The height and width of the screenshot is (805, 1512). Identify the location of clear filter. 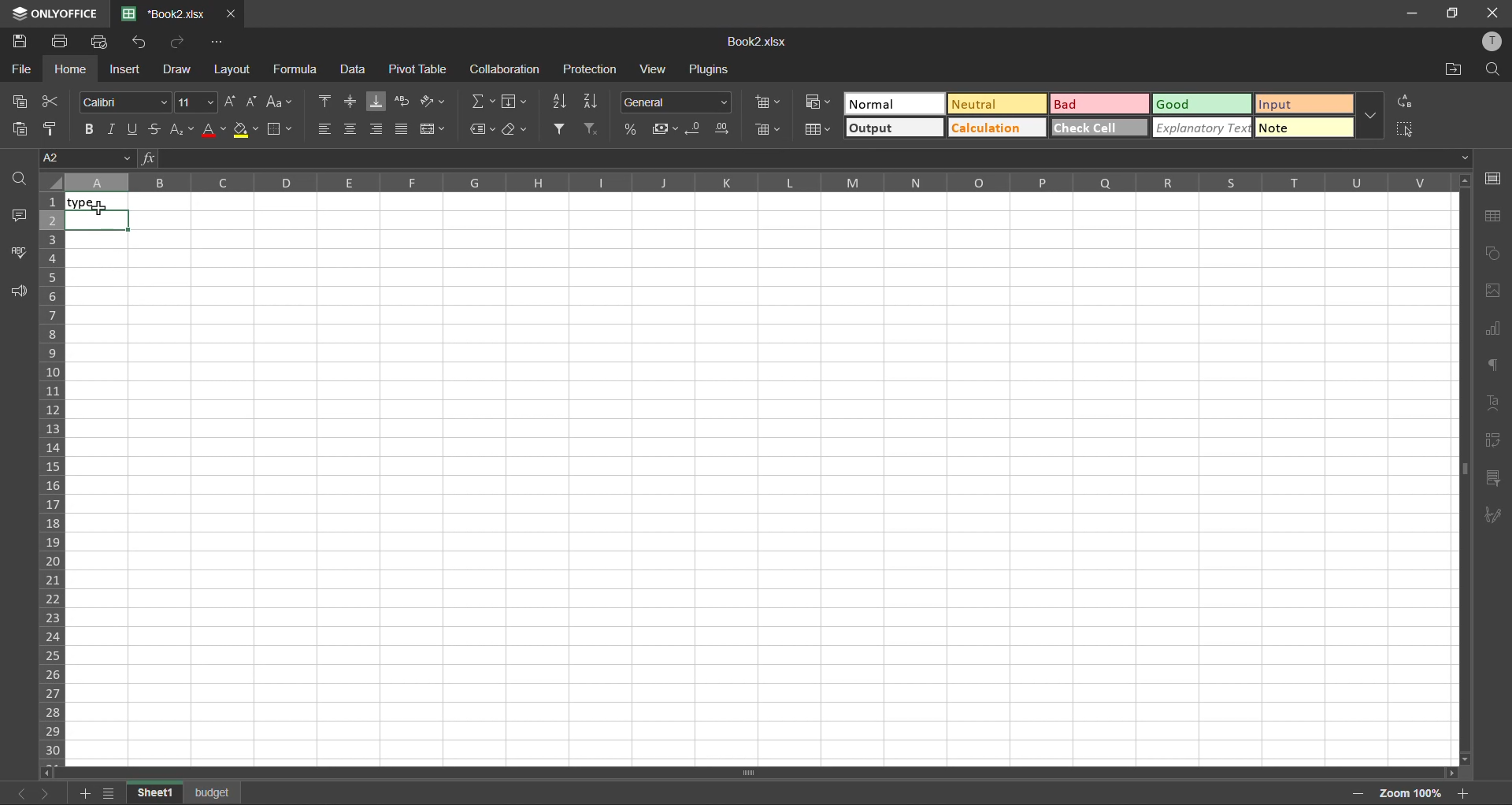
(591, 130).